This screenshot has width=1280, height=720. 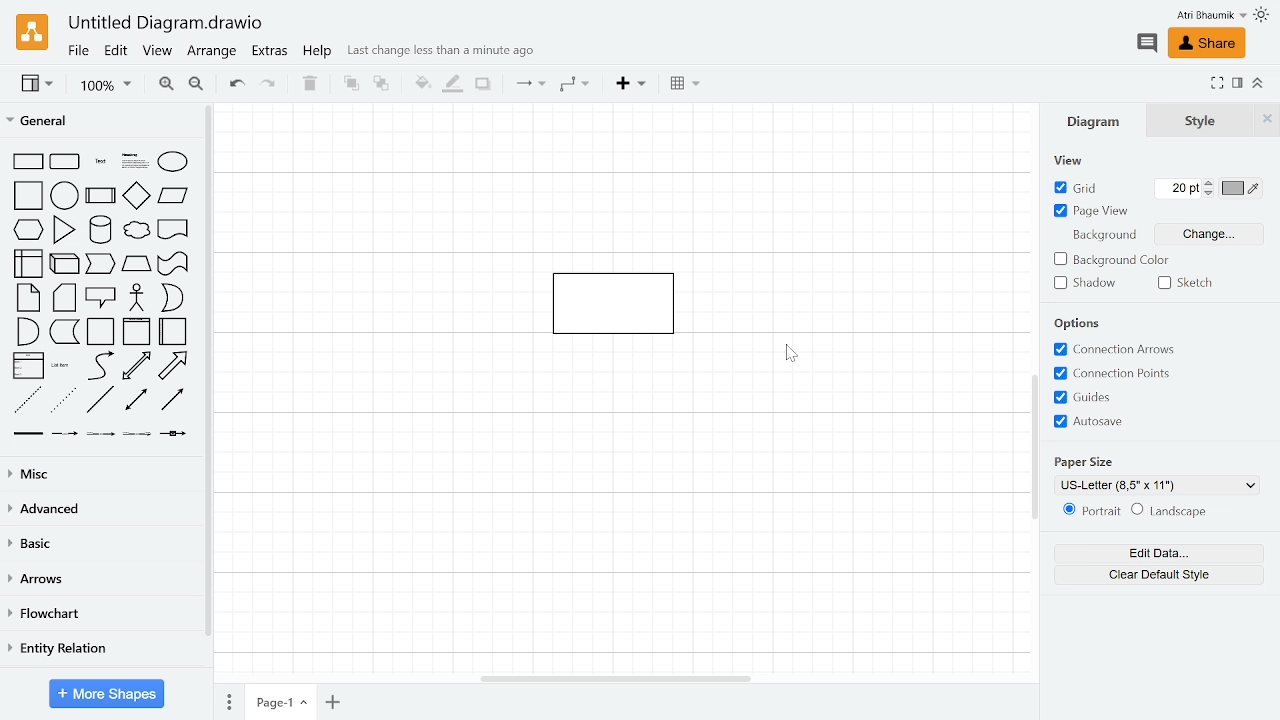 What do you see at coordinates (332, 702) in the screenshot?
I see `Add page` at bounding box center [332, 702].